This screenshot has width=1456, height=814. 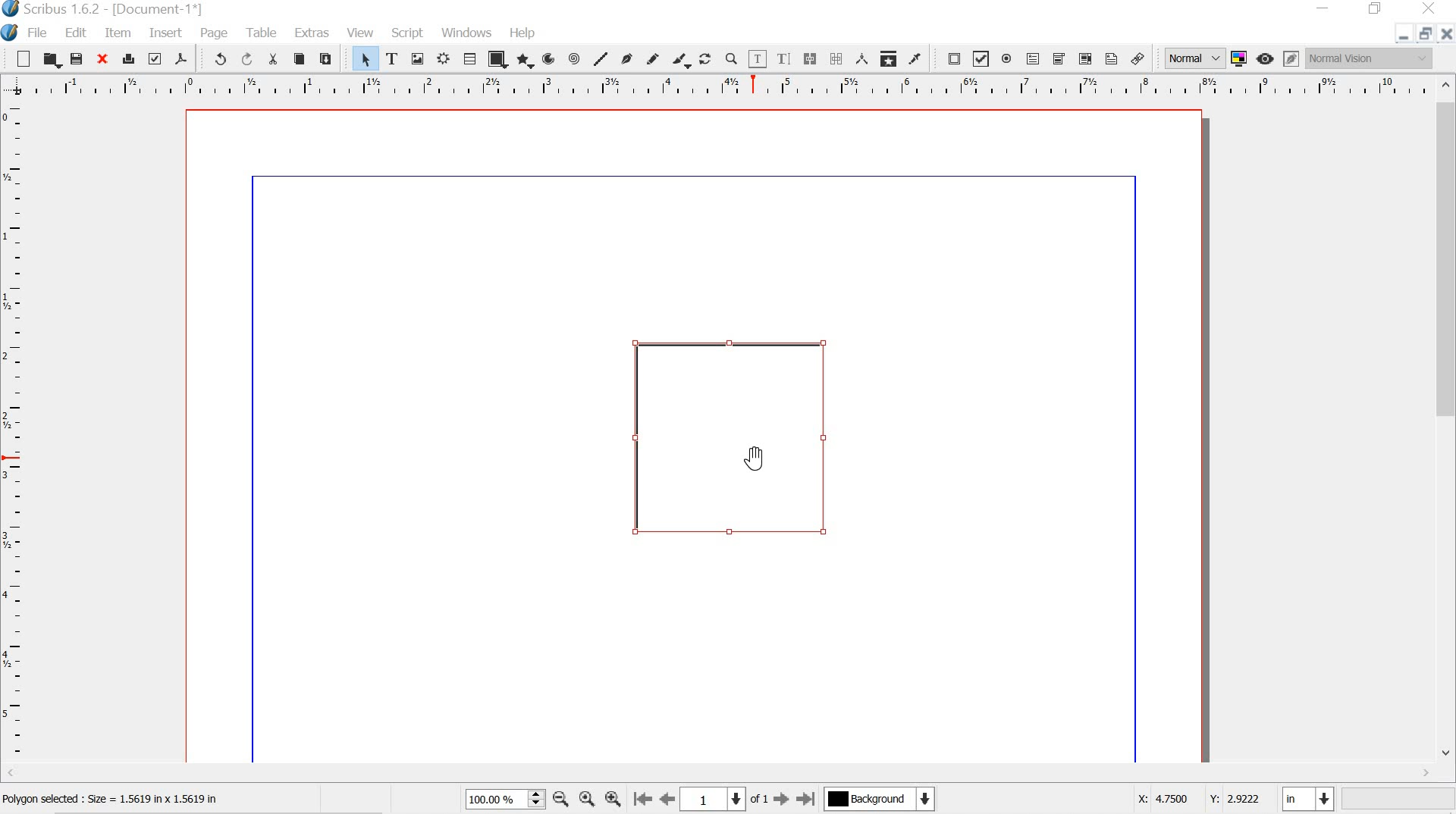 What do you see at coordinates (392, 57) in the screenshot?
I see `text frame` at bounding box center [392, 57].